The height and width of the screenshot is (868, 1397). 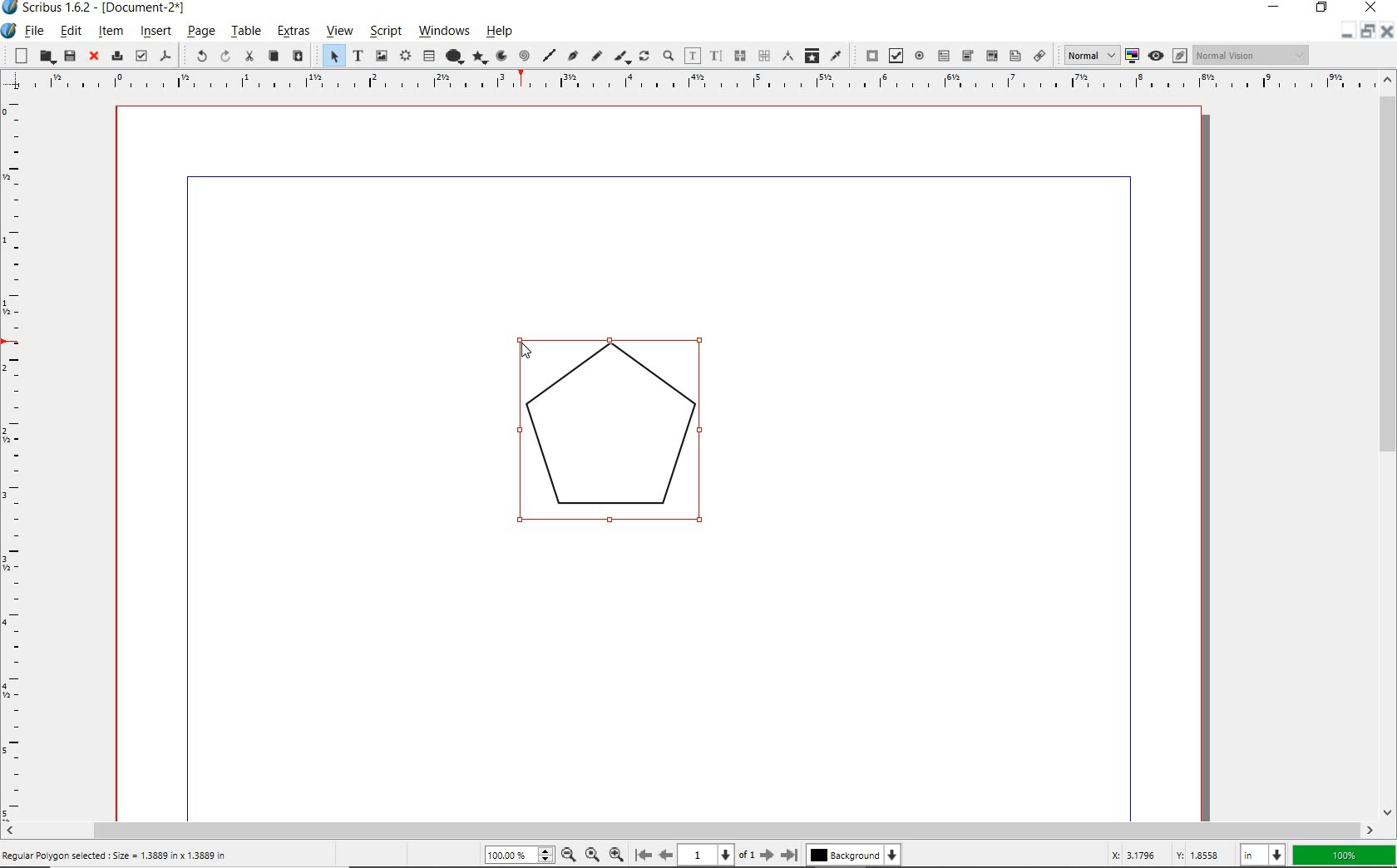 What do you see at coordinates (155, 31) in the screenshot?
I see `insert` at bounding box center [155, 31].